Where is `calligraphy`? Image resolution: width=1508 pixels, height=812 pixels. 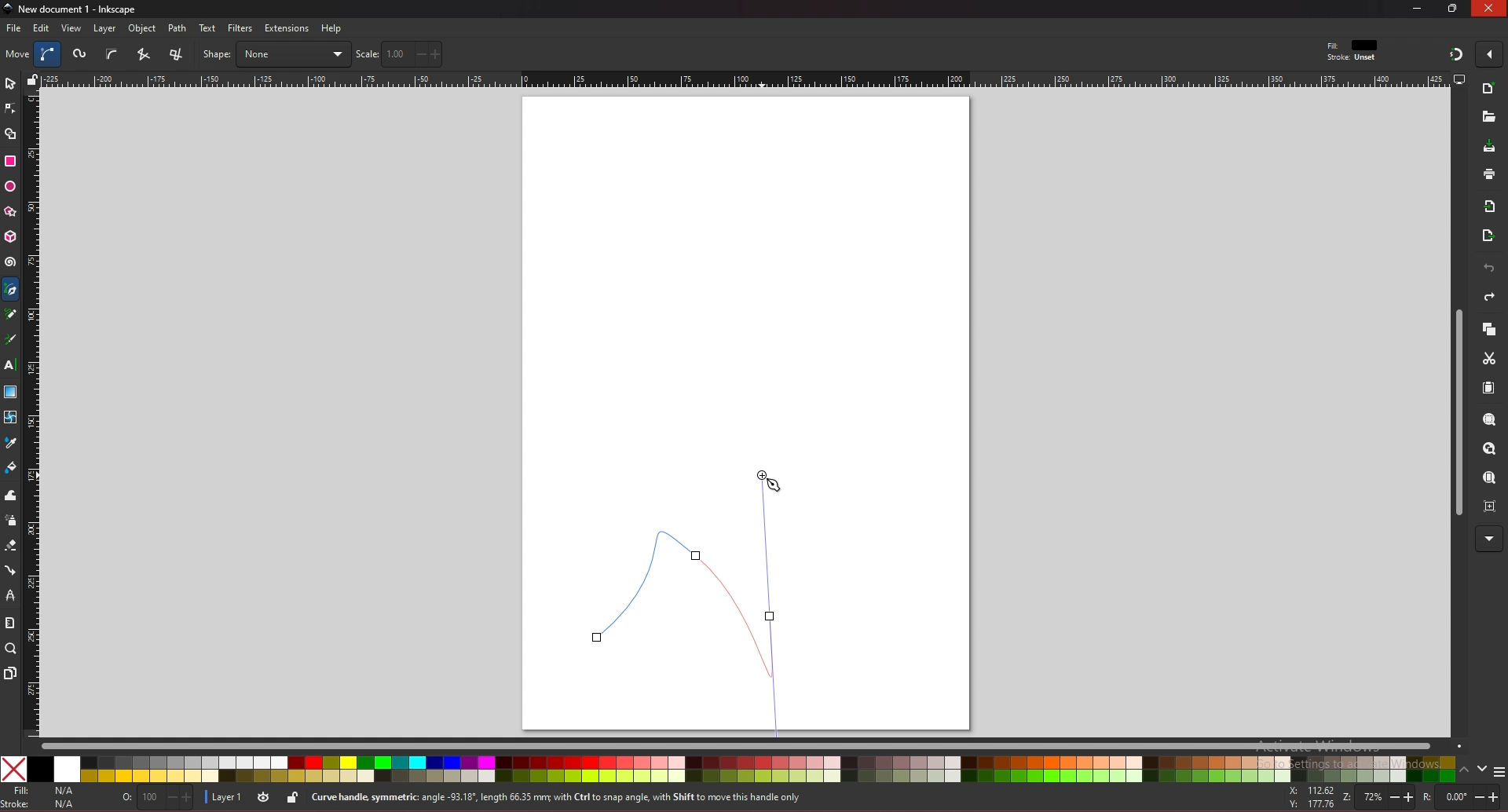 calligraphy is located at coordinates (13, 341).